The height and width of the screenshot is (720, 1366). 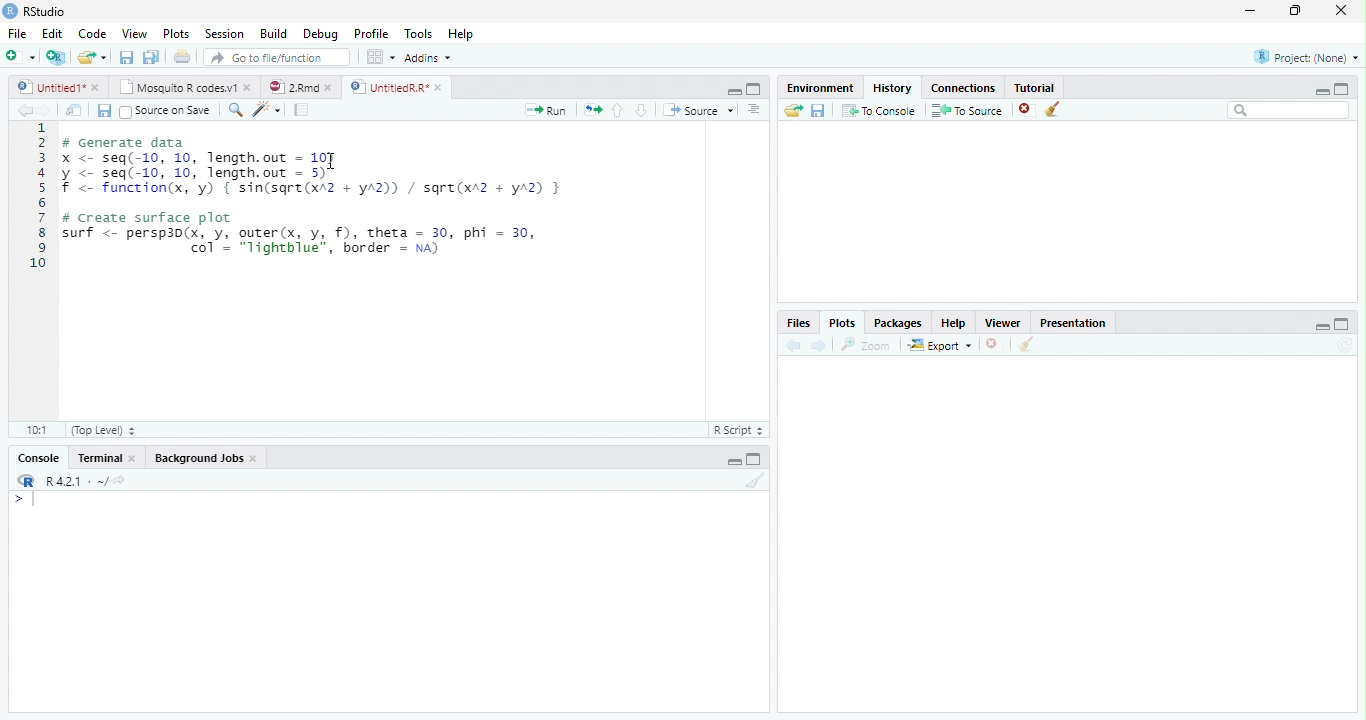 What do you see at coordinates (940, 345) in the screenshot?
I see `Export` at bounding box center [940, 345].